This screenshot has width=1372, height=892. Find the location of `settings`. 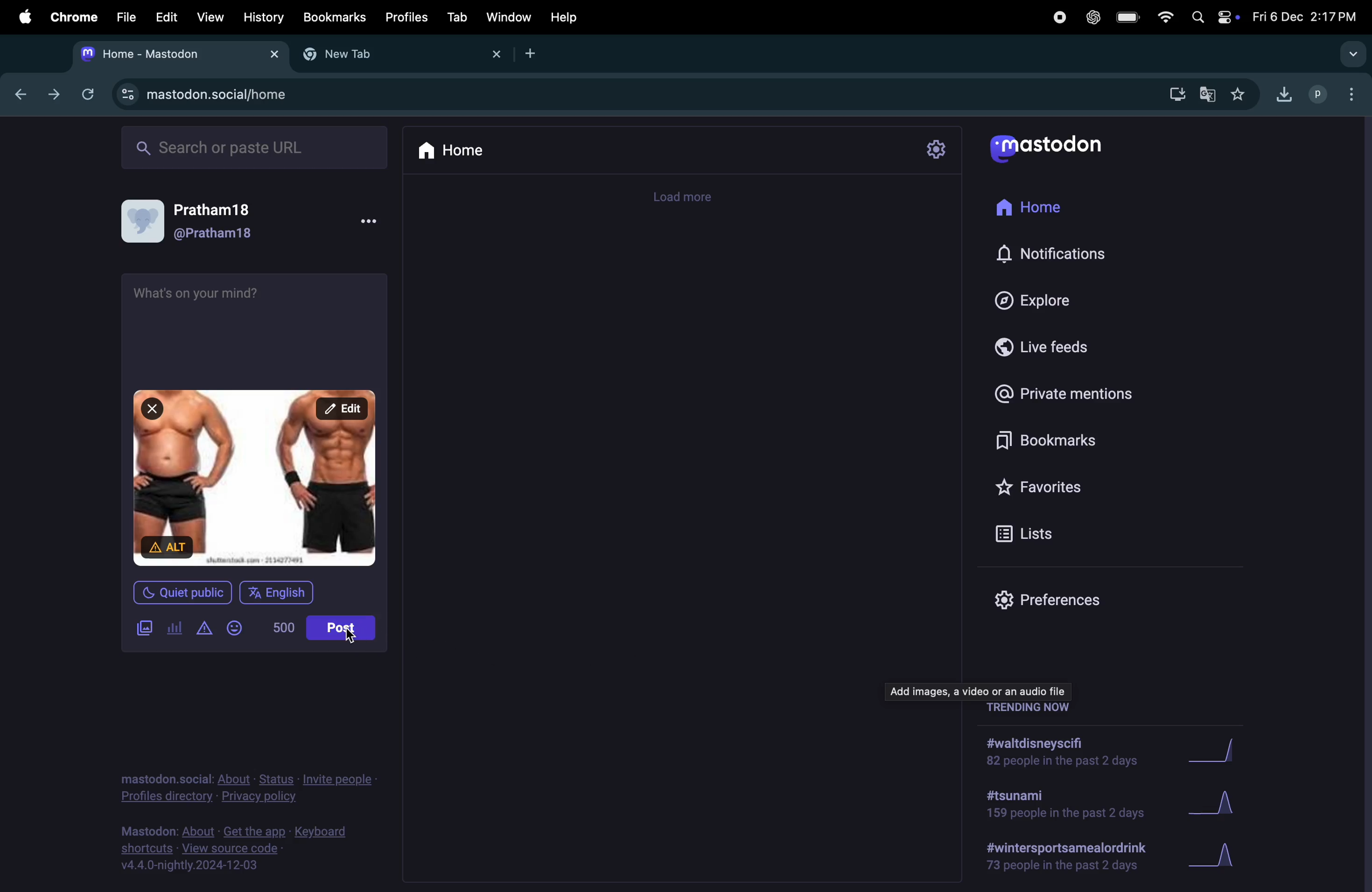

settings is located at coordinates (937, 149).